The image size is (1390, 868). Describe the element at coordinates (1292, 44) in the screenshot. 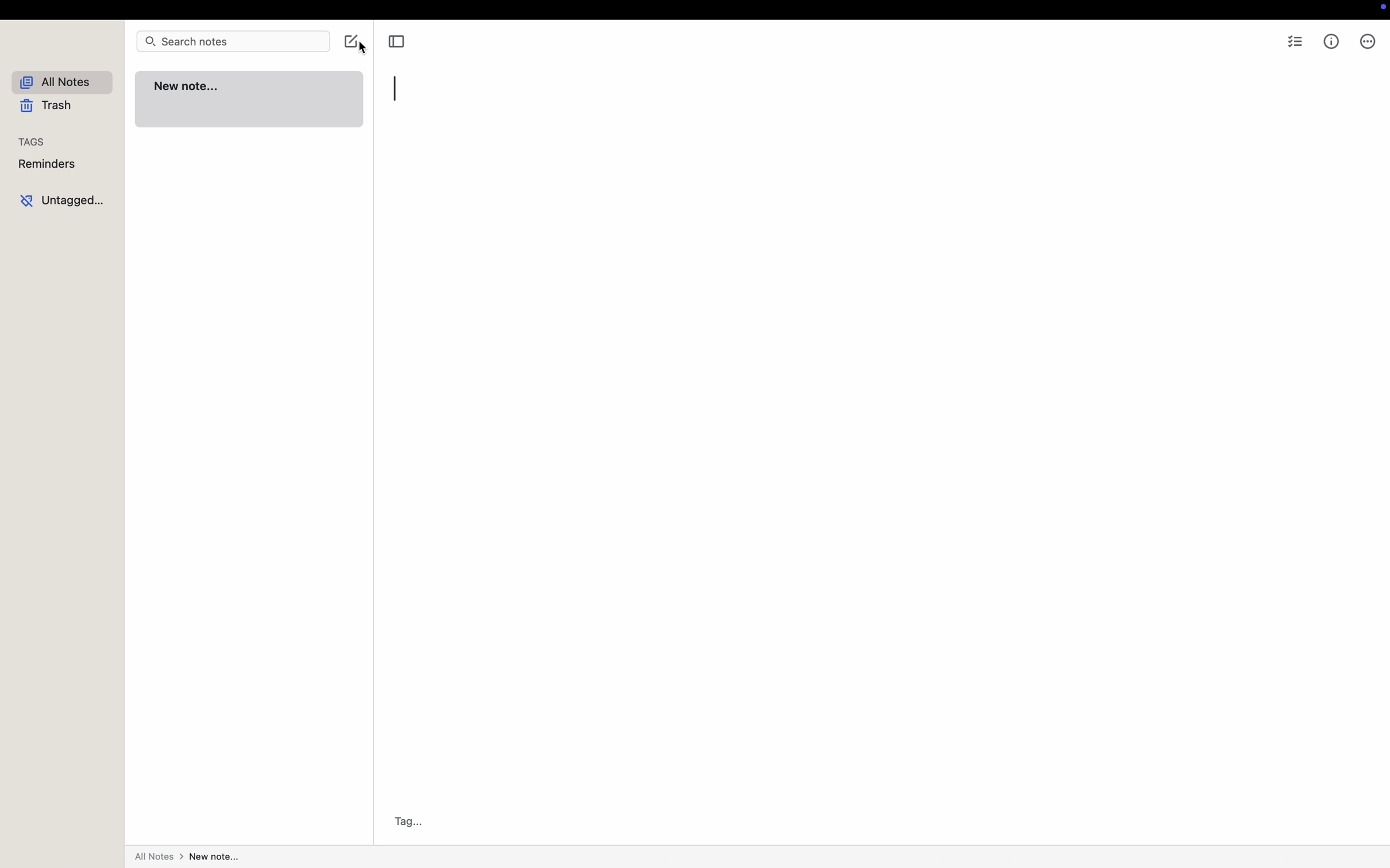

I see `checklist` at that location.